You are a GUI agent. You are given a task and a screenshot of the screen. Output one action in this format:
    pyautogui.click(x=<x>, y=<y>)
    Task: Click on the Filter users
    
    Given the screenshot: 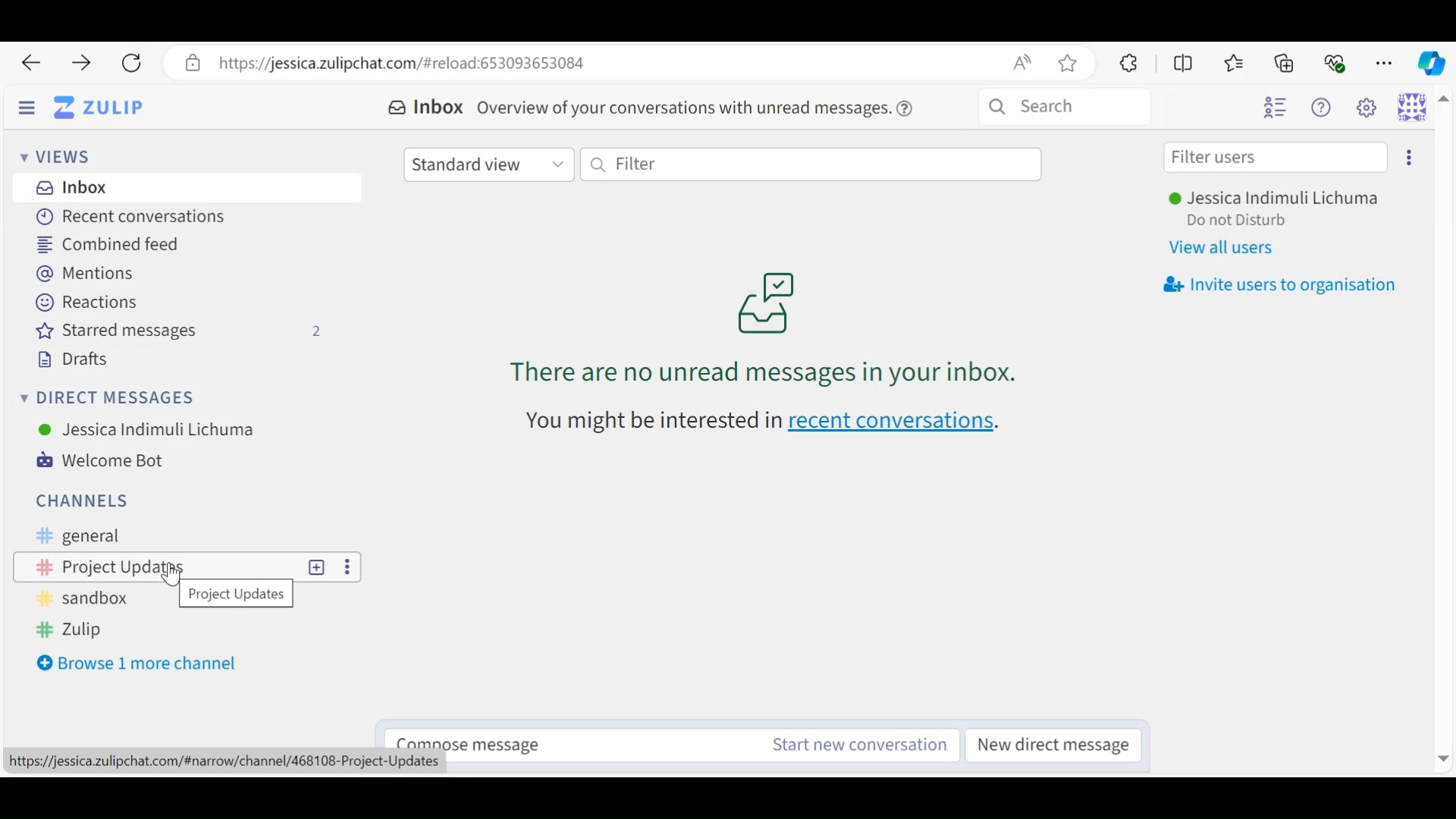 What is the action you would take?
    pyautogui.click(x=1276, y=158)
    